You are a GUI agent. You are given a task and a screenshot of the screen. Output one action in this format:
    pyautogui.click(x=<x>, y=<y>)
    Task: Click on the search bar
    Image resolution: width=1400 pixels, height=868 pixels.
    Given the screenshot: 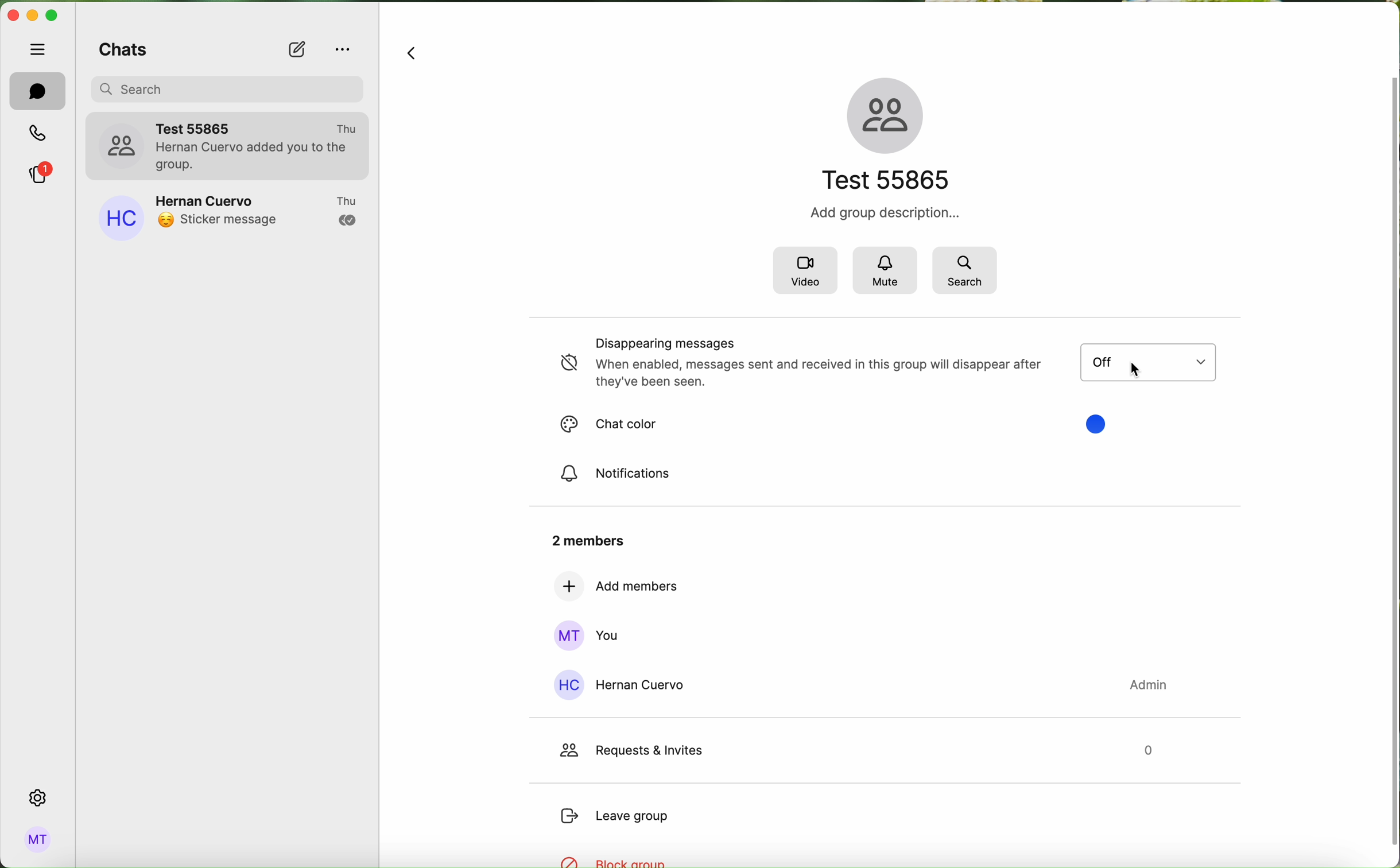 What is the action you would take?
    pyautogui.click(x=231, y=87)
    